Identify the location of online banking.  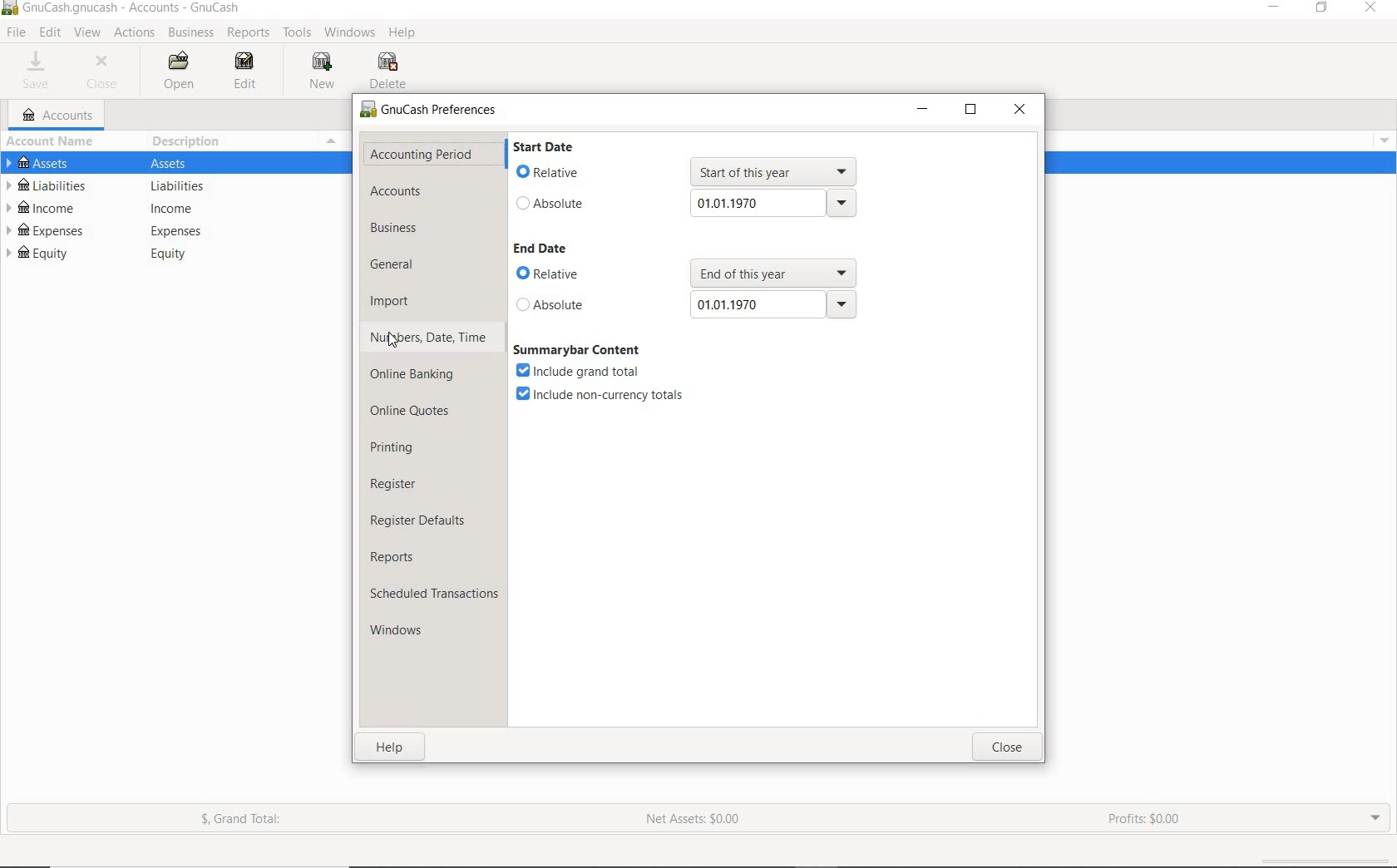
(422, 377).